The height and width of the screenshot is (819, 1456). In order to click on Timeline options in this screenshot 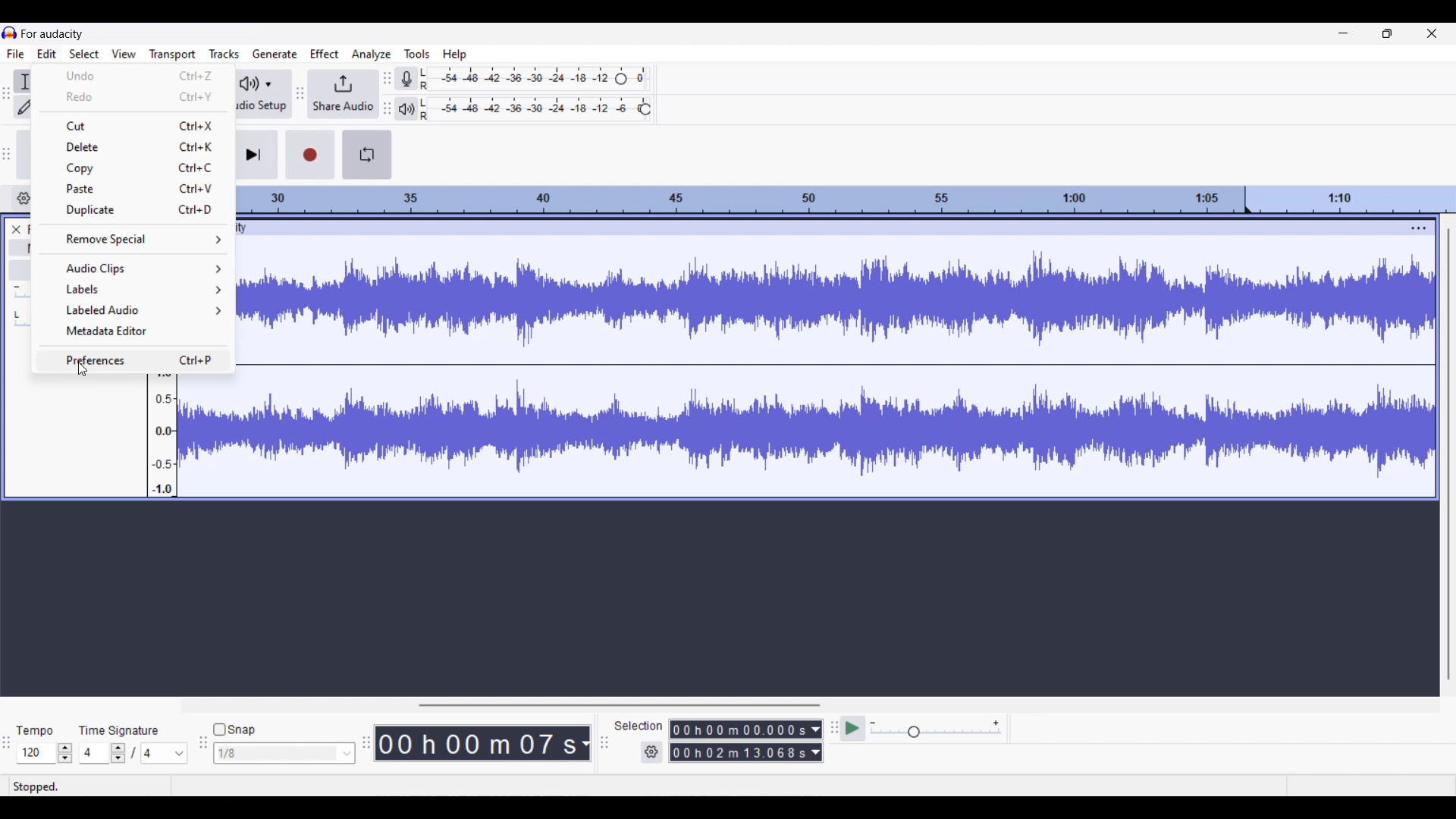, I will do `click(24, 199)`.